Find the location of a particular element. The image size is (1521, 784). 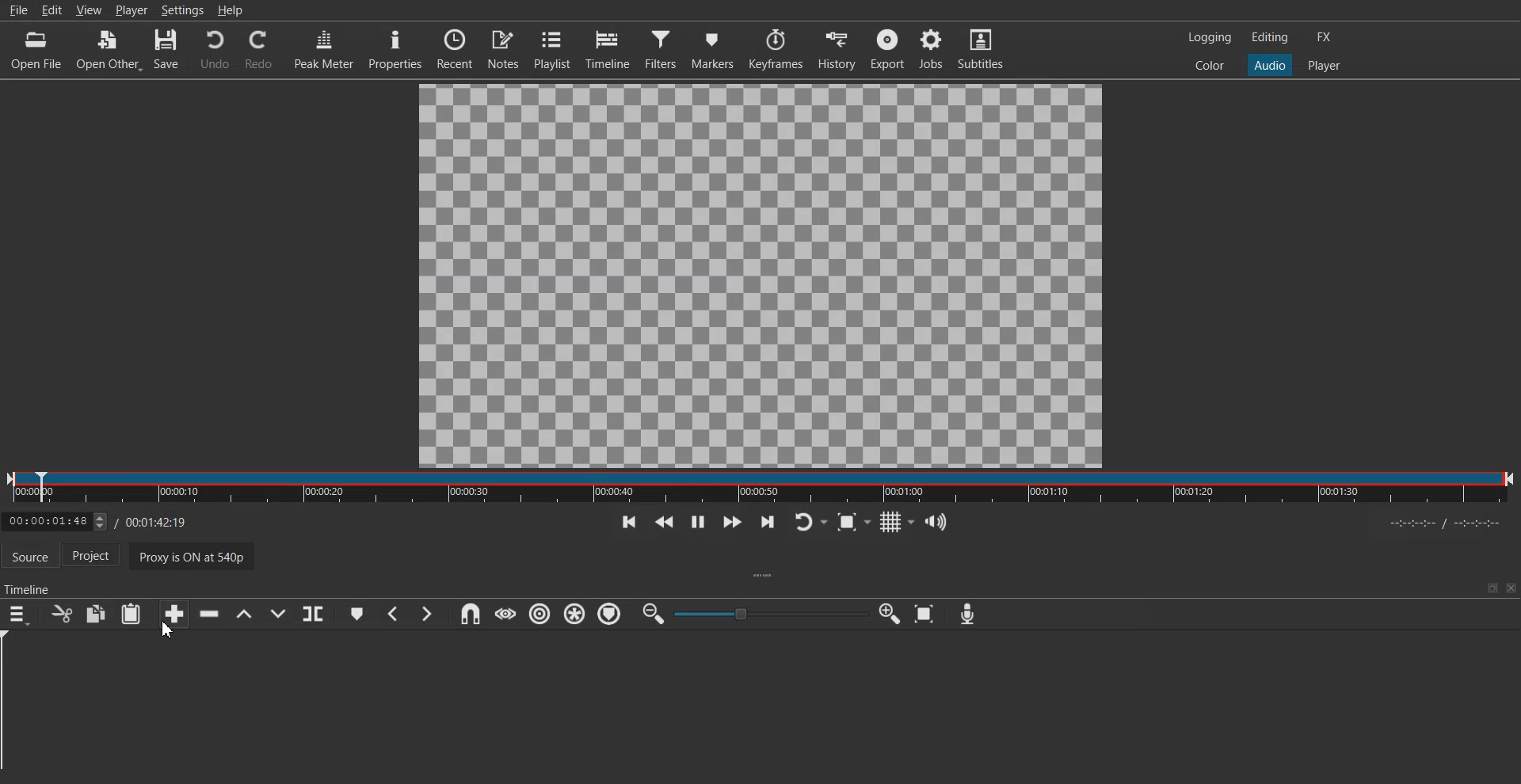

Open File is located at coordinates (37, 48).